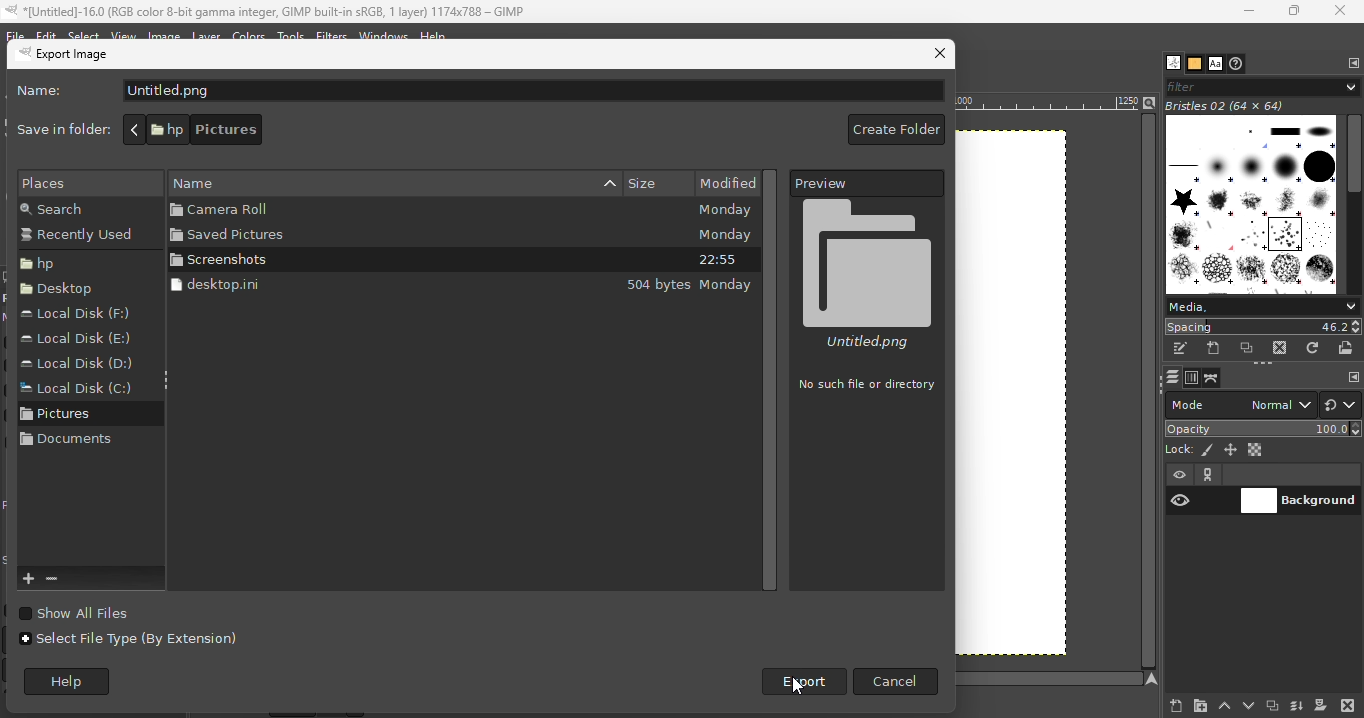 This screenshot has width=1364, height=718. I want to click on Lower this layer, so click(1250, 703).